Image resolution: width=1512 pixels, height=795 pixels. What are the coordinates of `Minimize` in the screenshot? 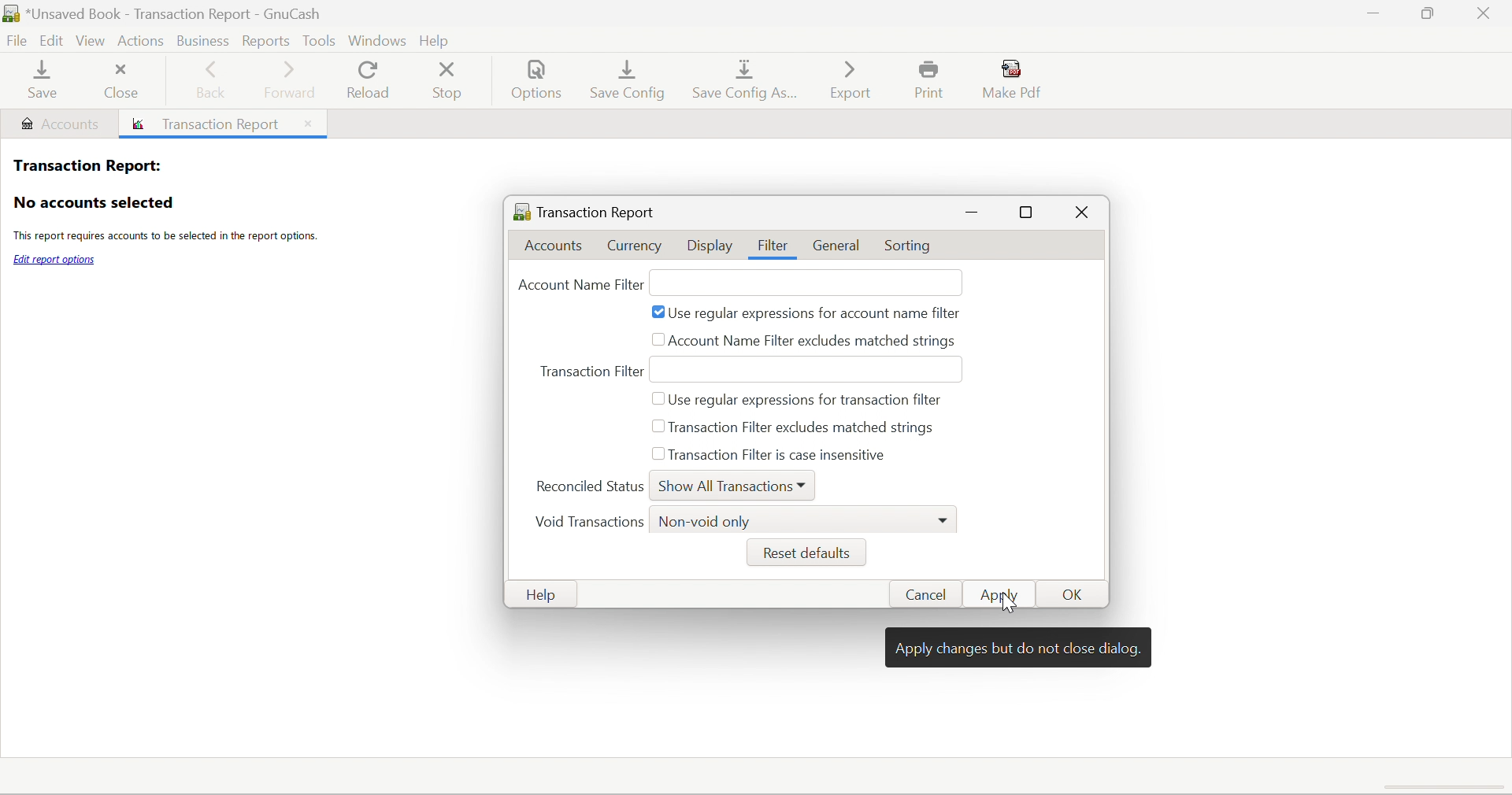 It's located at (973, 213).